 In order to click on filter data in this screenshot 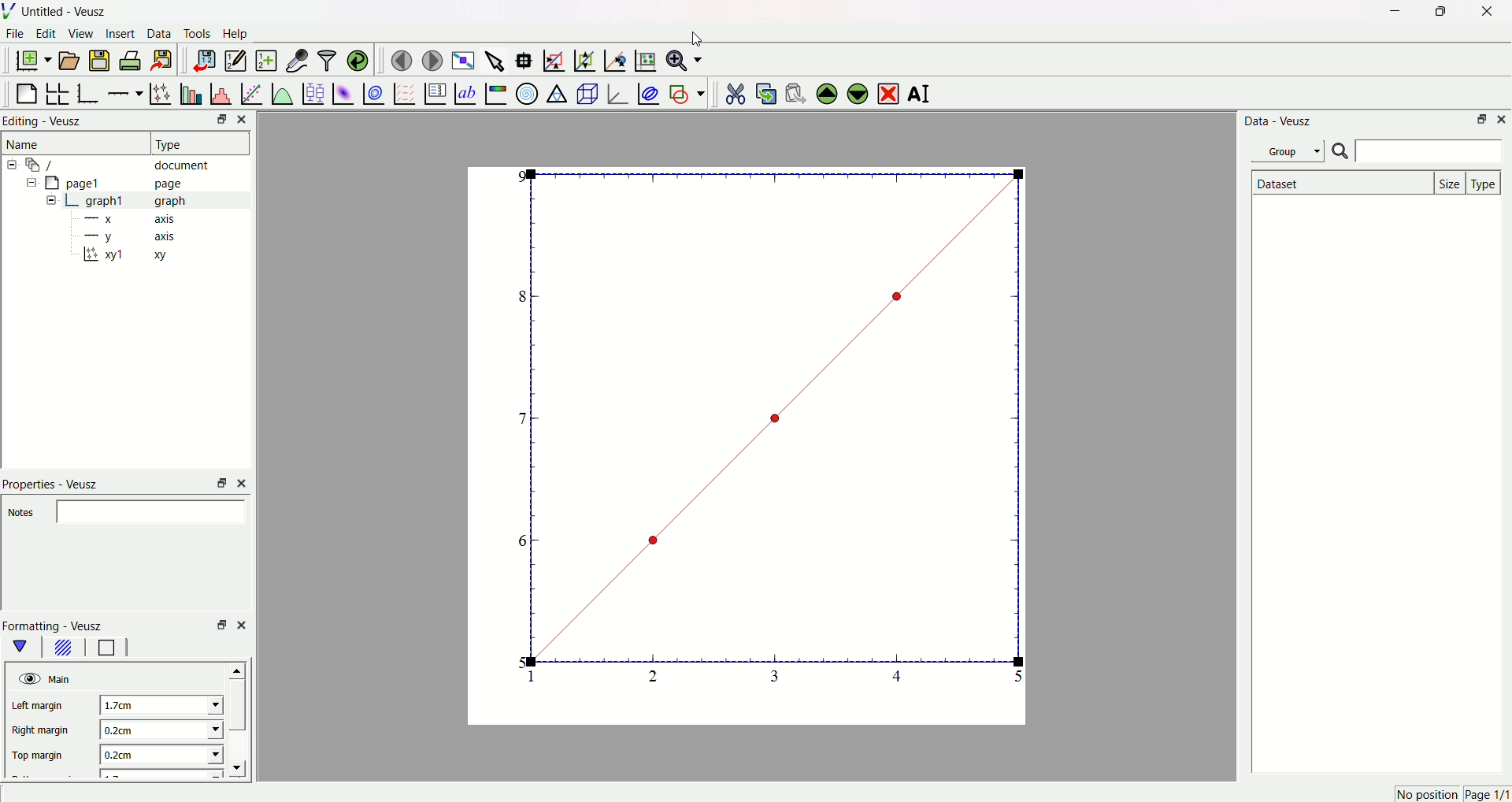, I will do `click(326, 58)`.